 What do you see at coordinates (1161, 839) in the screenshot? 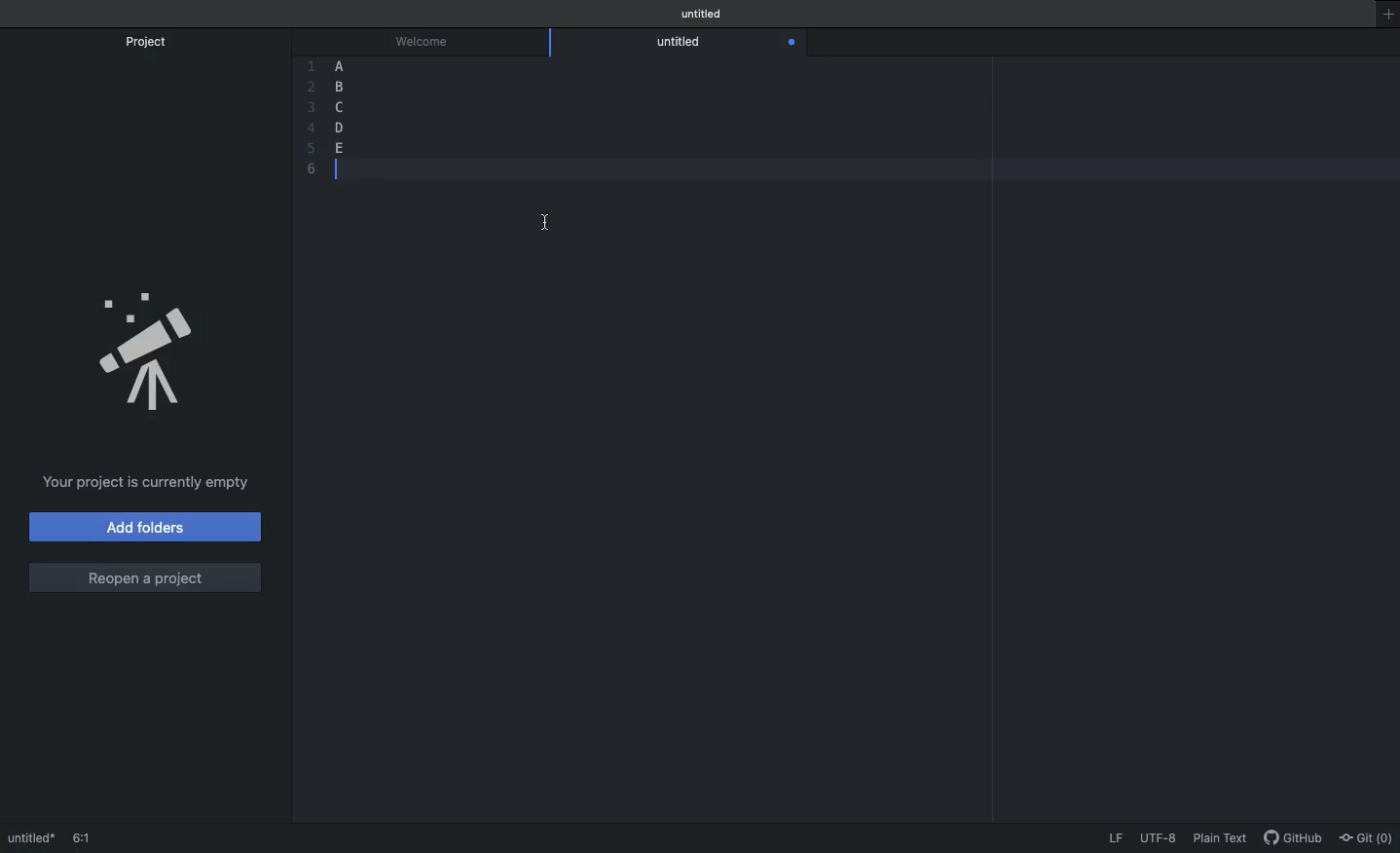
I see `UTF-8` at bounding box center [1161, 839].